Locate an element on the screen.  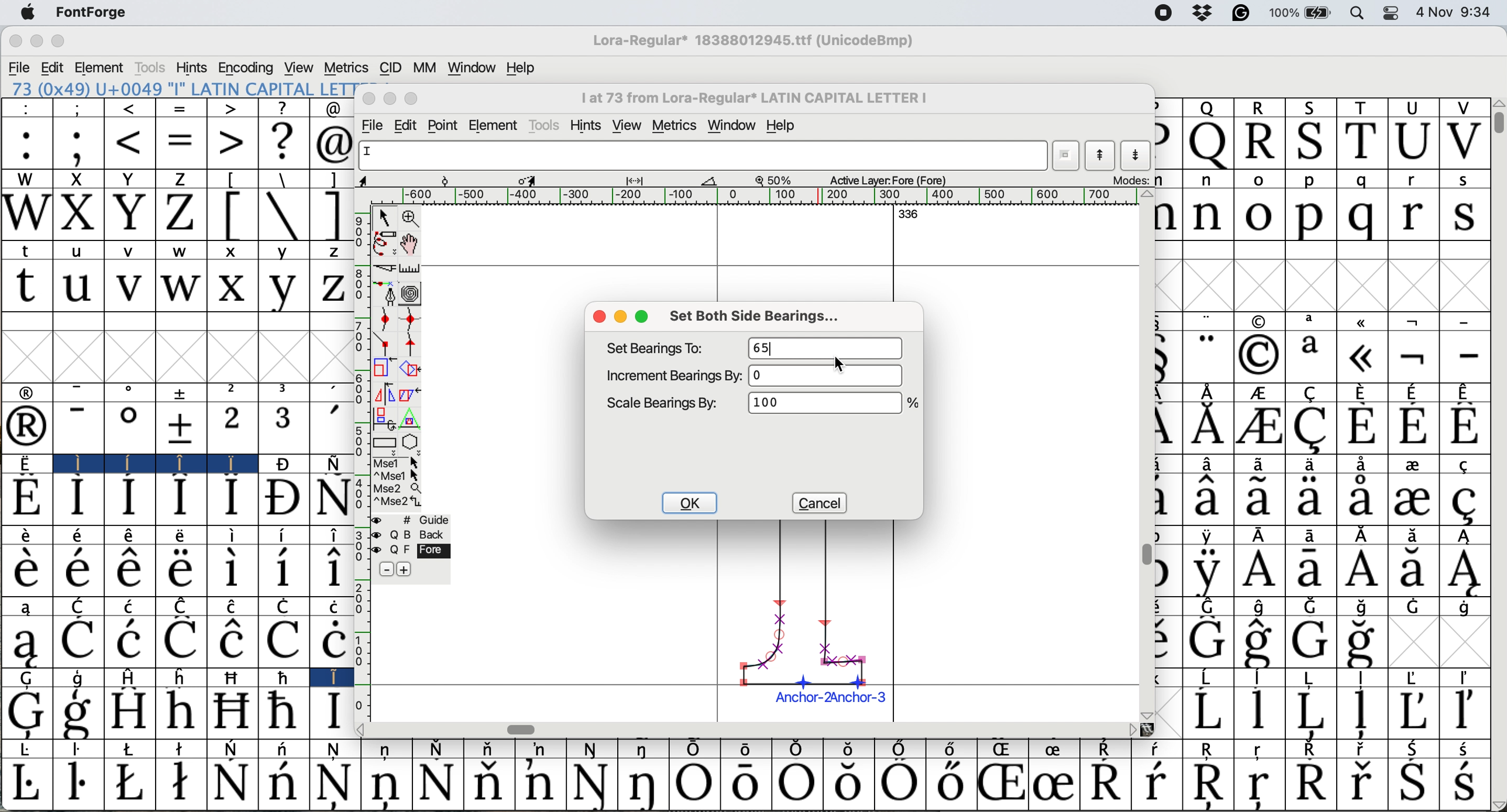
Symbol is located at coordinates (29, 785).